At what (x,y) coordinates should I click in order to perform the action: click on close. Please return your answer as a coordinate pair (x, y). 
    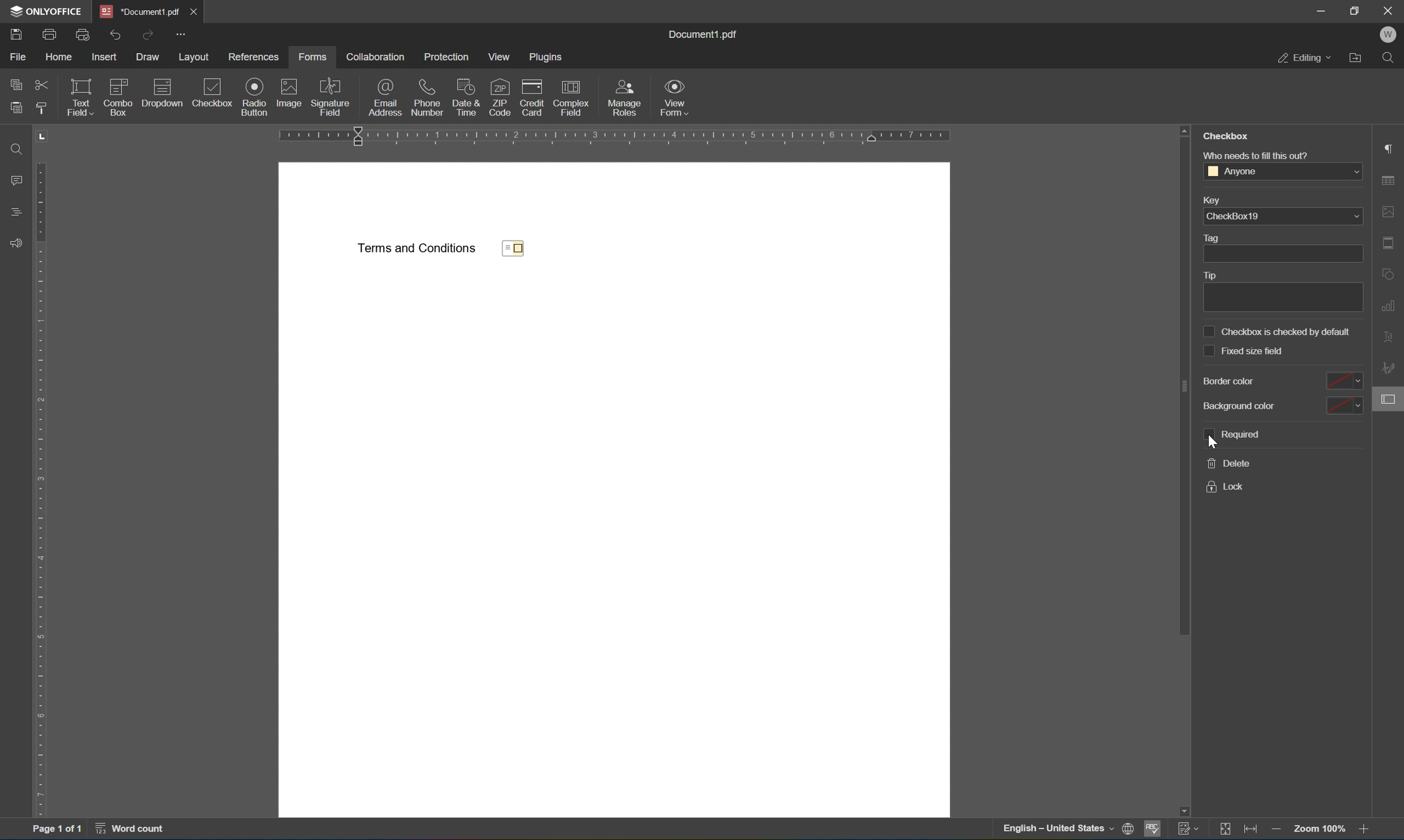
    Looking at the image, I should click on (195, 11).